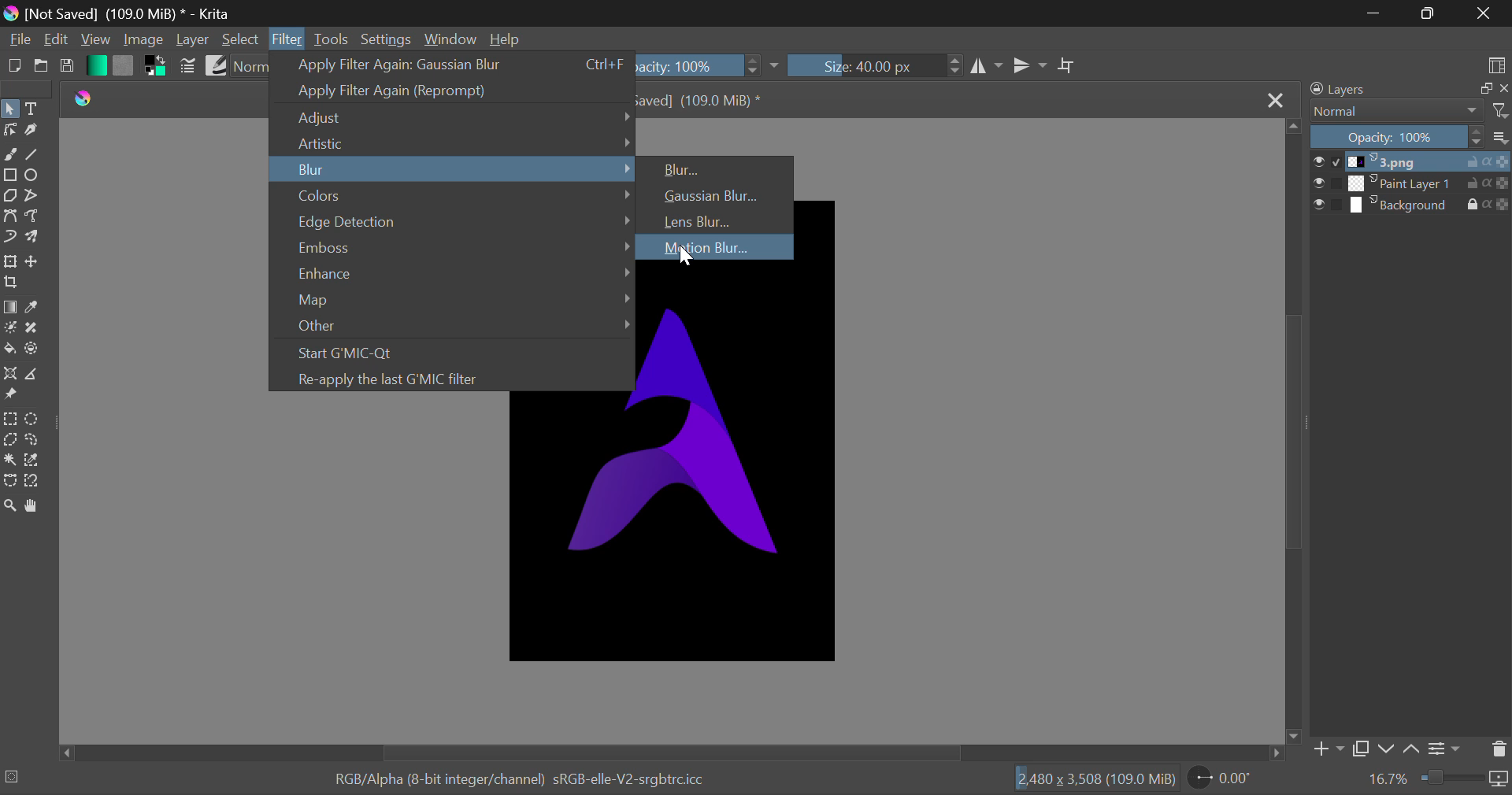 The width and height of the screenshot is (1512, 795). What do you see at coordinates (9, 215) in the screenshot?
I see `Bezier Curve` at bounding box center [9, 215].